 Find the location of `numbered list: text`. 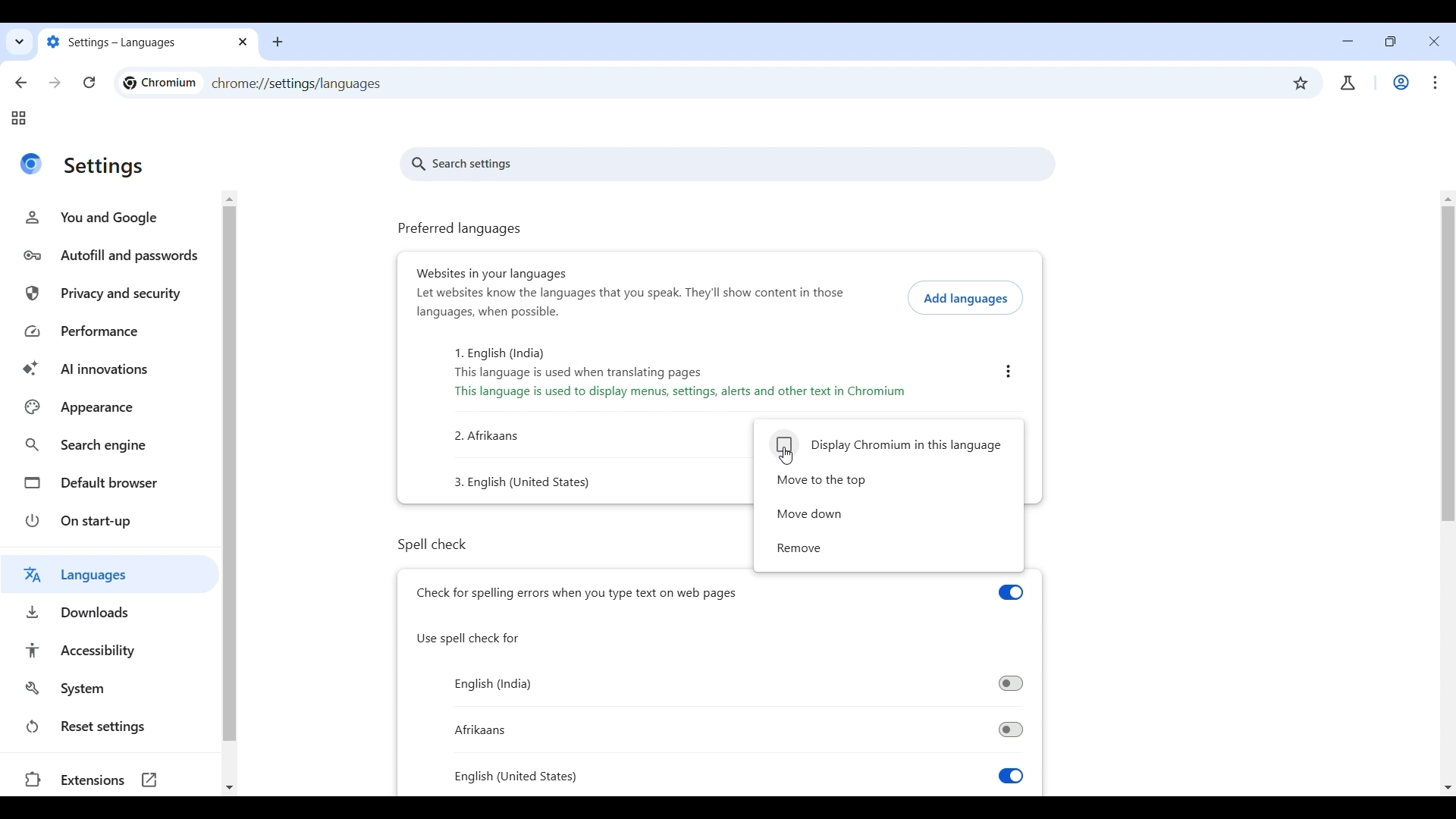

numbered list: text is located at coordinates (530, 483).